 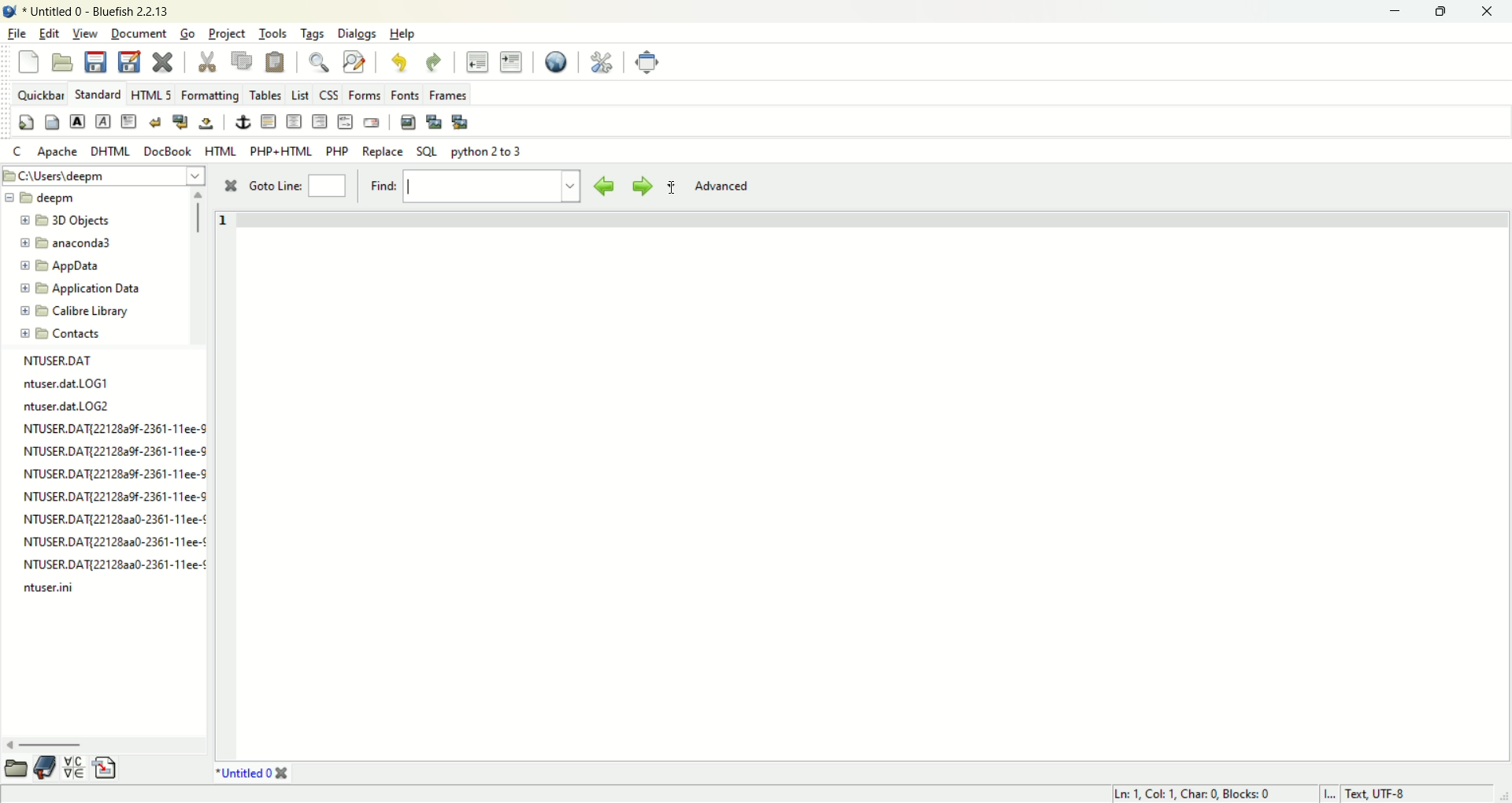 I want to click on unindent, so click(x=478, y=61).